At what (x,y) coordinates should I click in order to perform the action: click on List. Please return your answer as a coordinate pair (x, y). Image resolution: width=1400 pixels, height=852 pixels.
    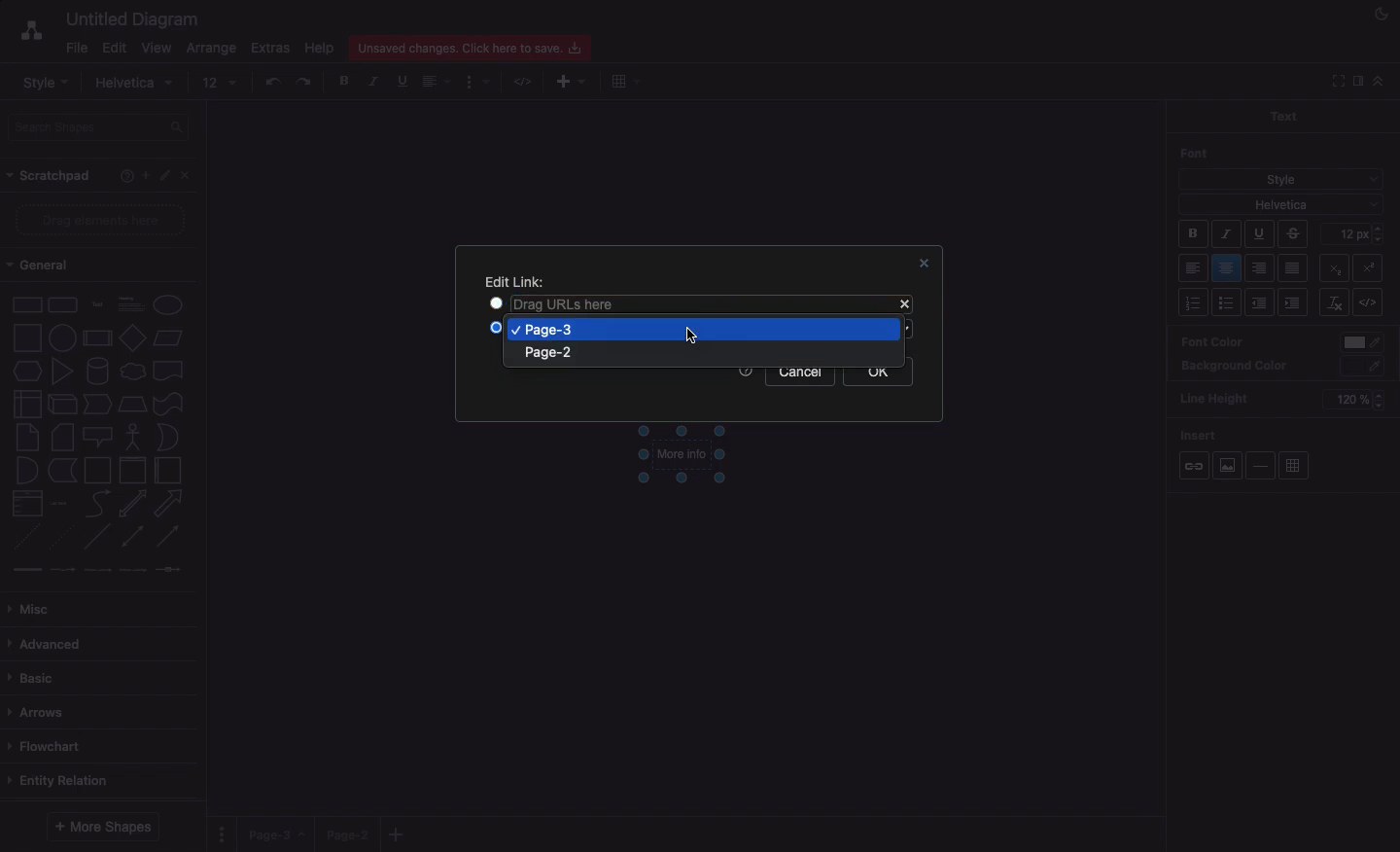
    Looking at the image, I should click on (1192, 302).